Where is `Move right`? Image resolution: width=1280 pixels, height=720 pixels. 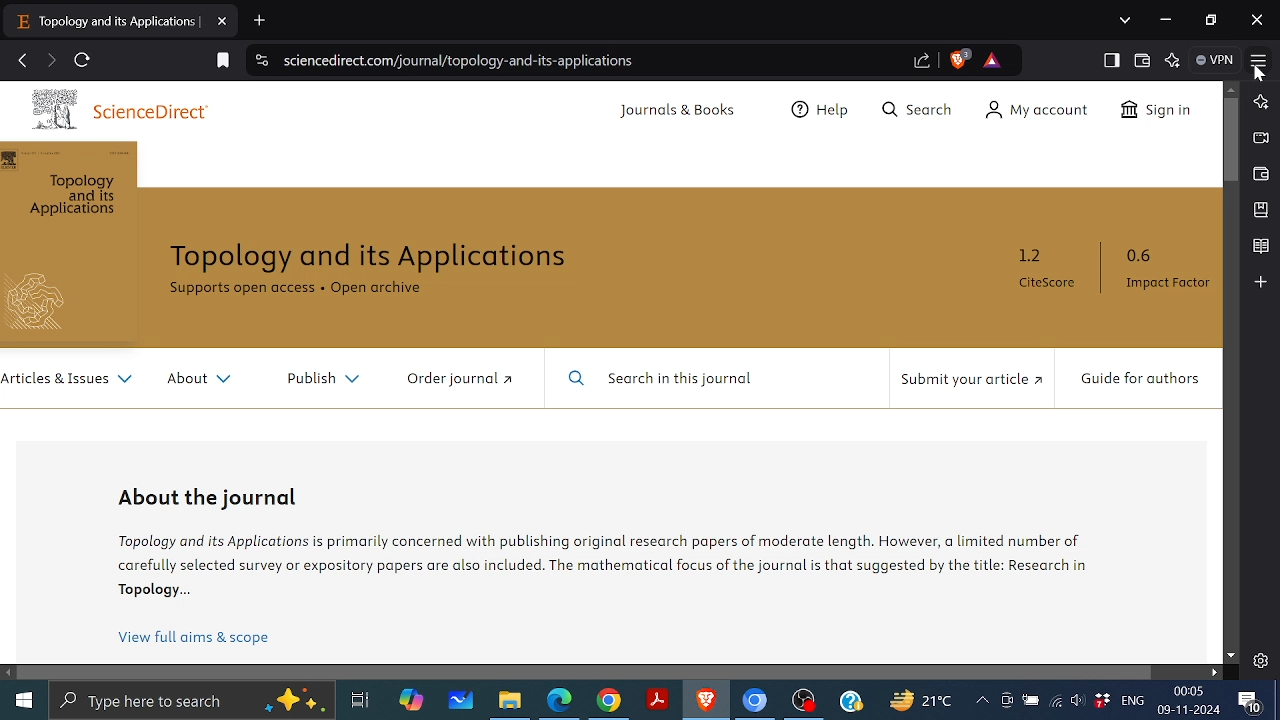
Move right is located at coordinates (1212, 672).